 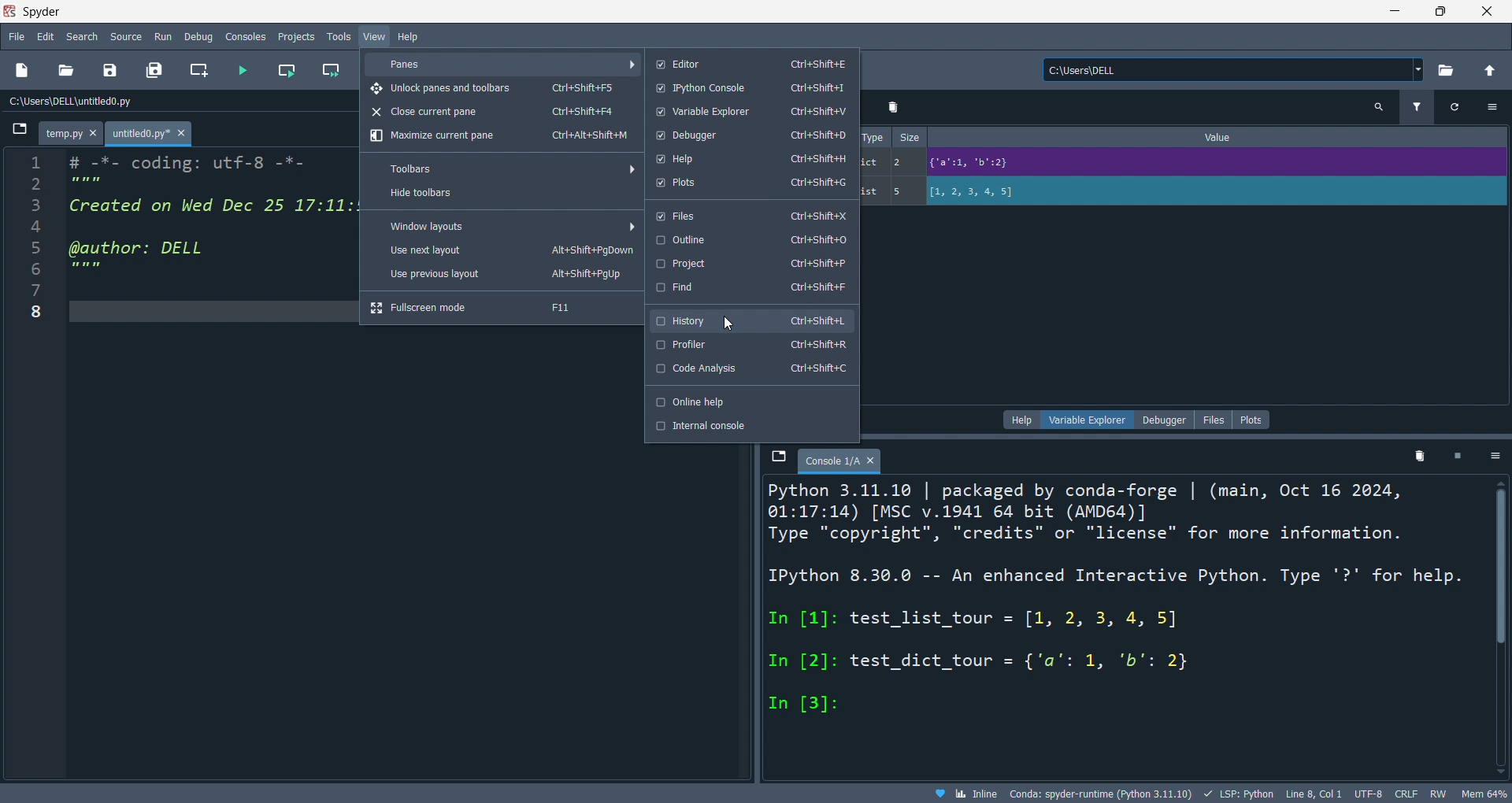 I want to click on dict, so click(x=873, y=165).